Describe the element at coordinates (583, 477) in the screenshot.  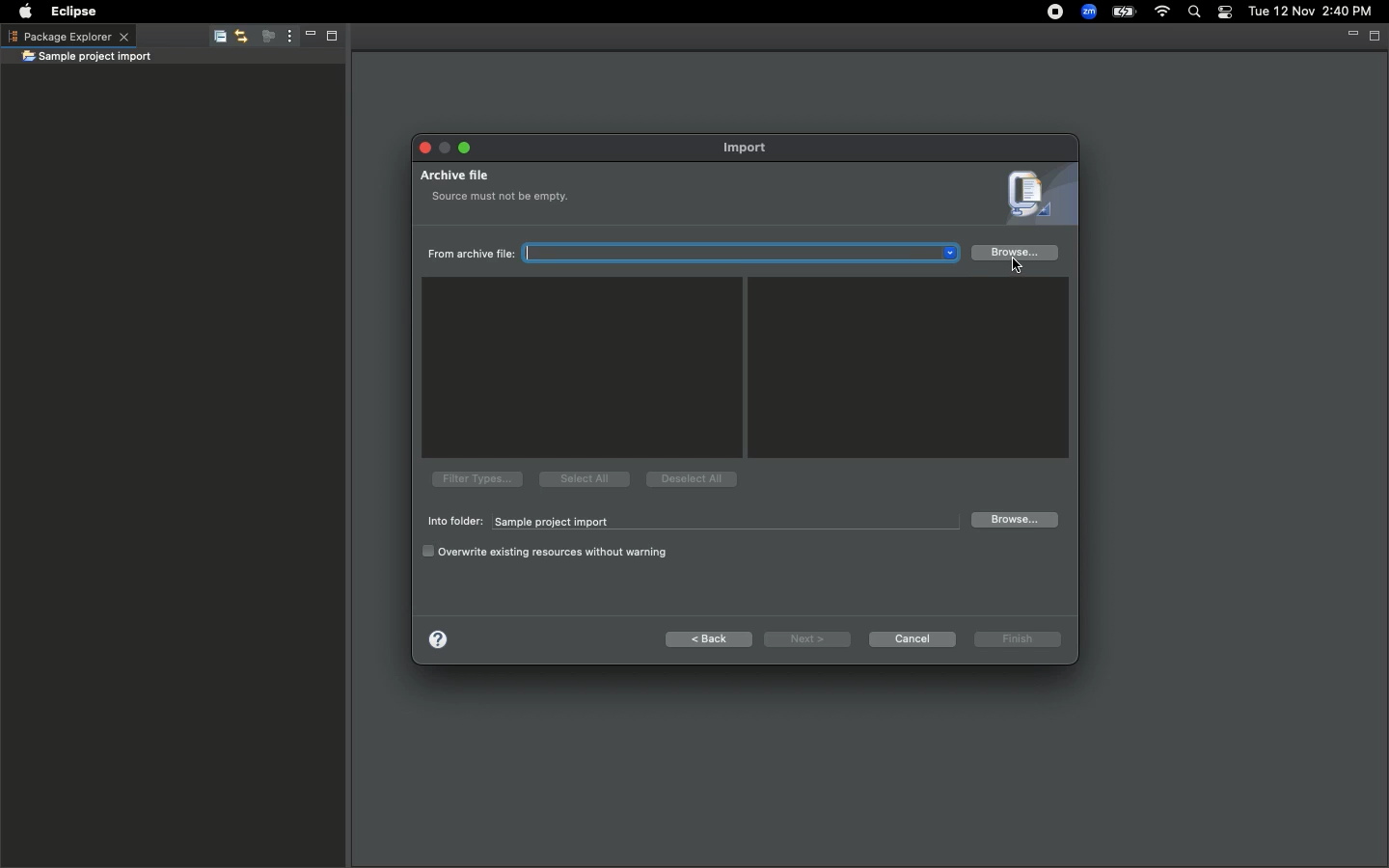
I see `Select all` at that location.